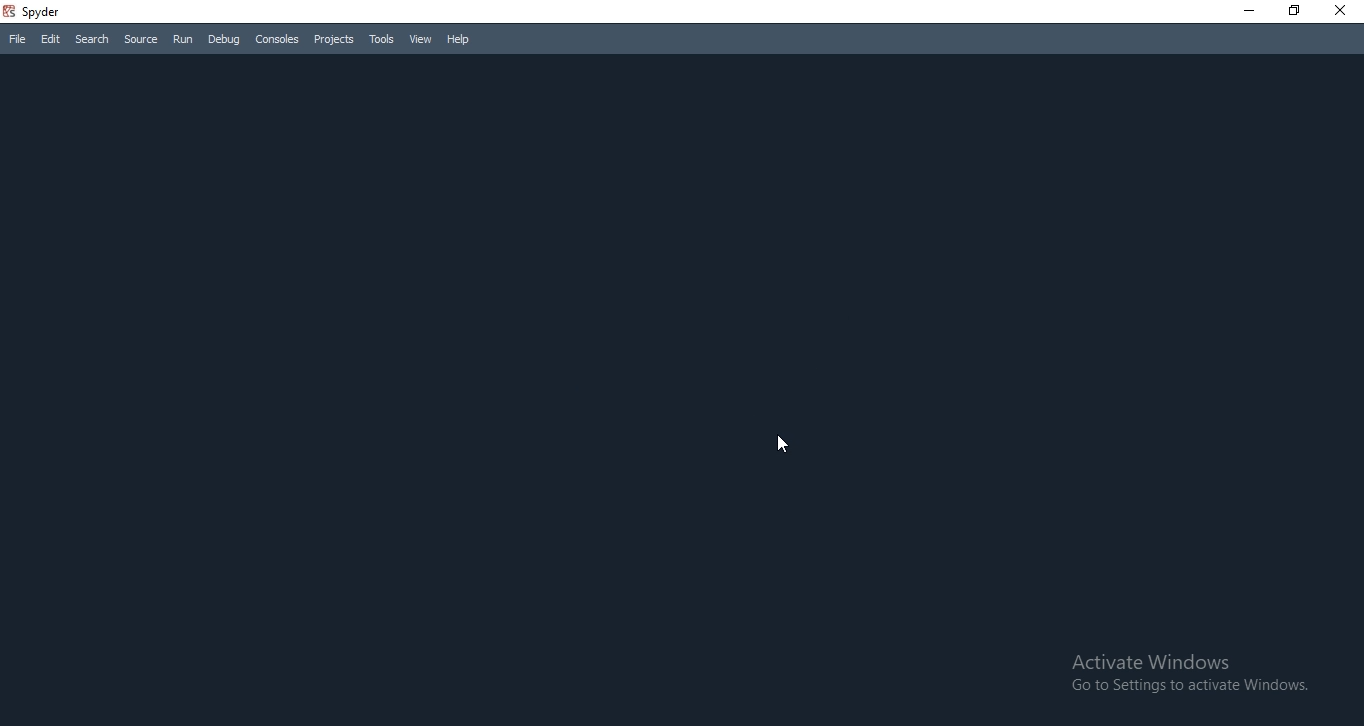 The height and width of the screenshot is (726, 1364). I want to click on cursor, so click(784, 448).